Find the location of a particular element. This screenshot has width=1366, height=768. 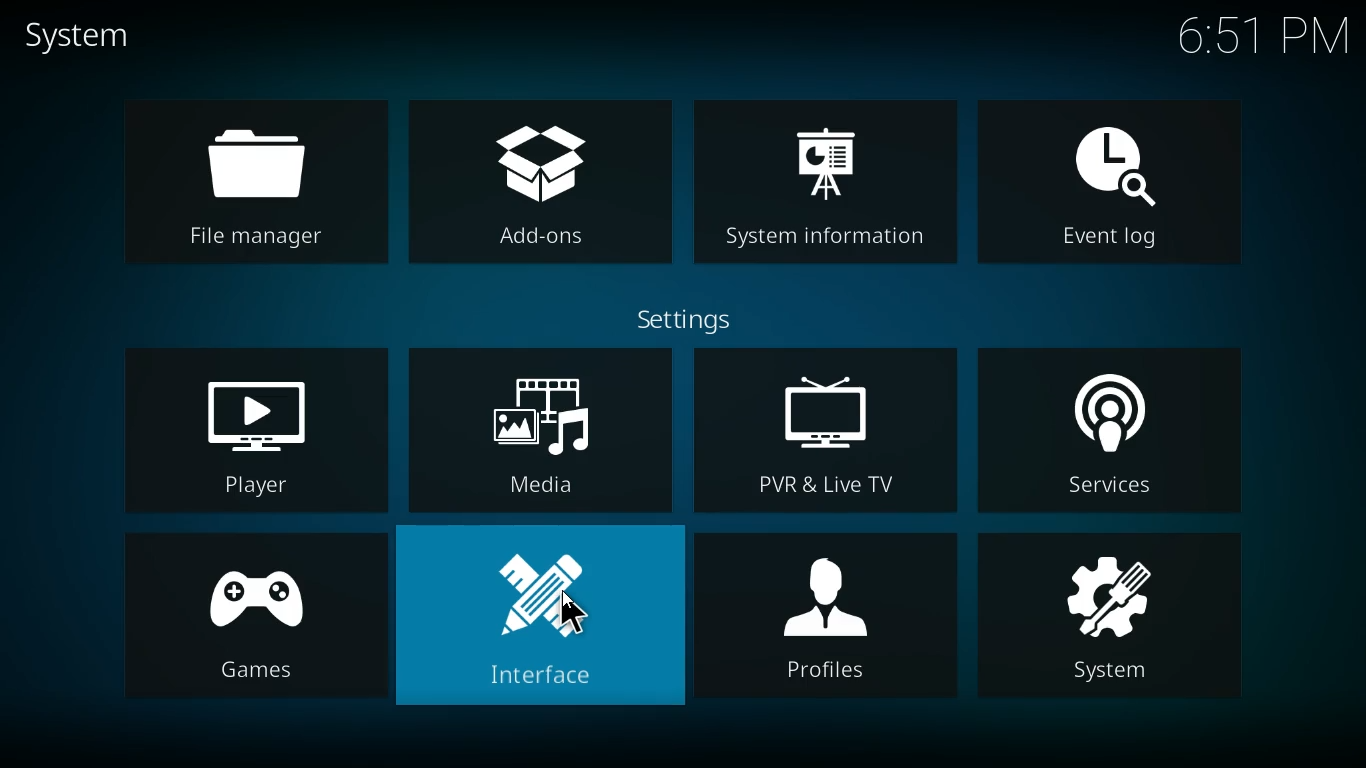

Cursor is located at coordinates (573, 614).